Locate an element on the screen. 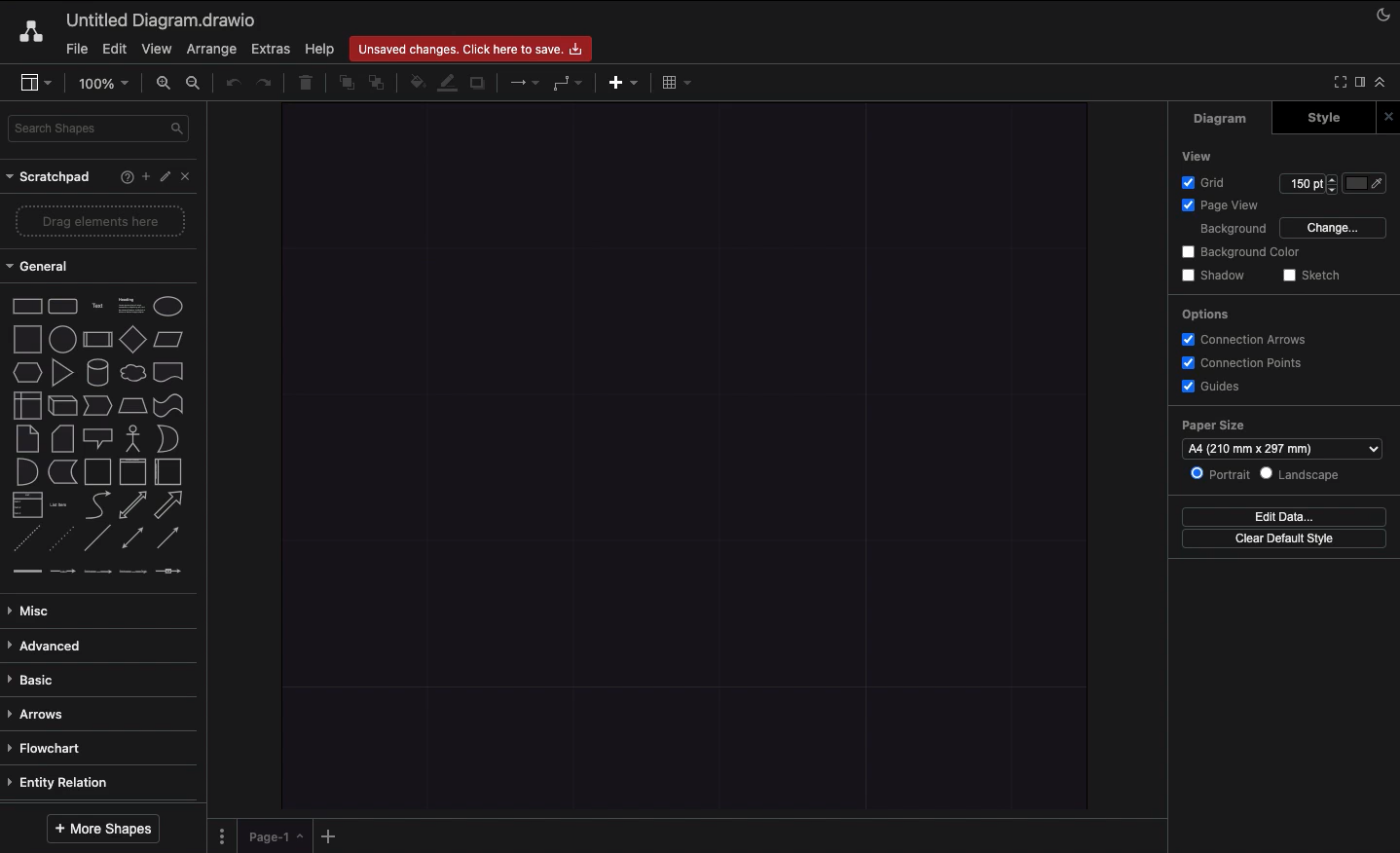 Image resolution: width=1400 pixels, height=853 pixels. Pages is located at coordinates (220, 835).